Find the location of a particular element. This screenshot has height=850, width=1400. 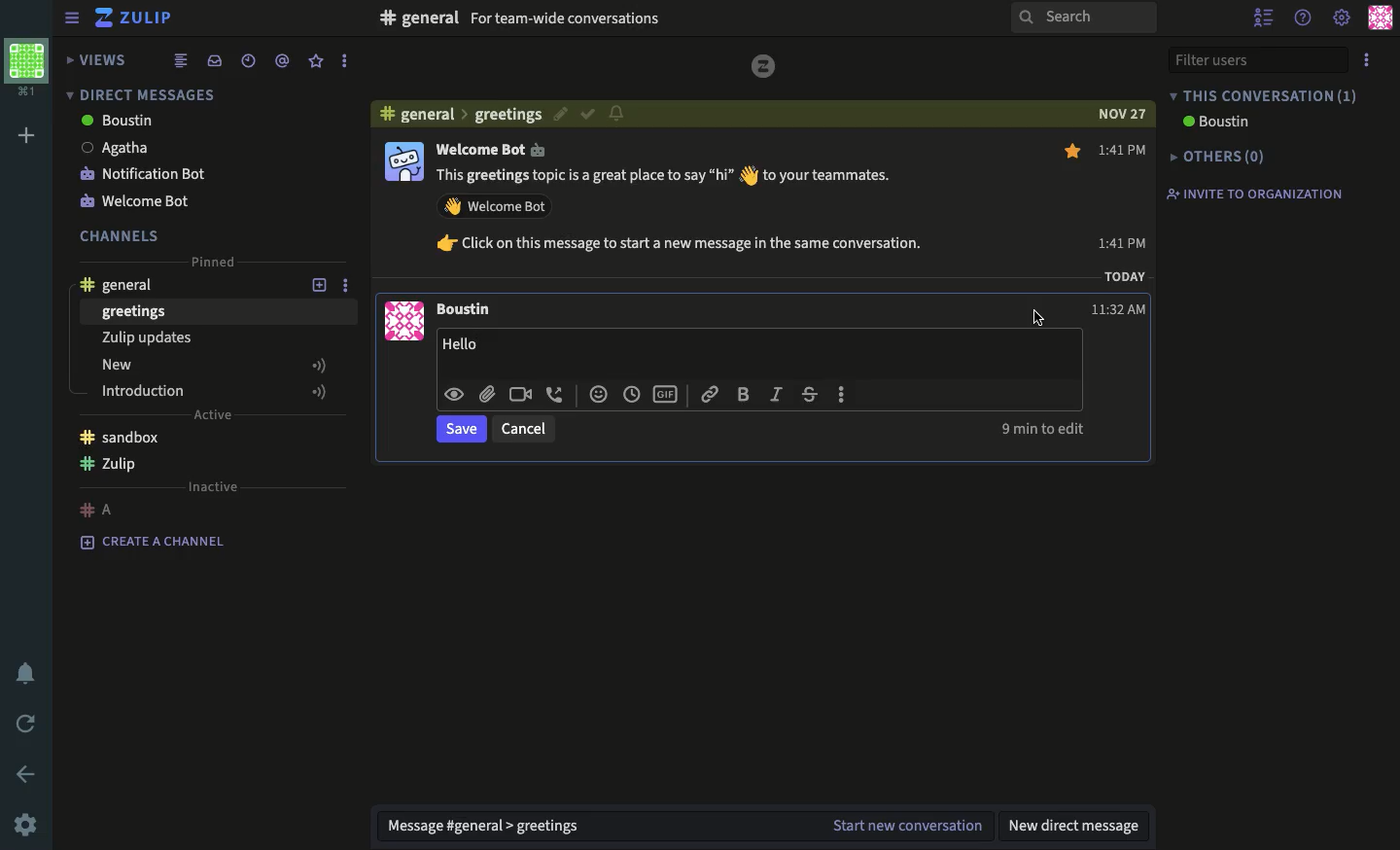

time is located at coordinates (249, 60).